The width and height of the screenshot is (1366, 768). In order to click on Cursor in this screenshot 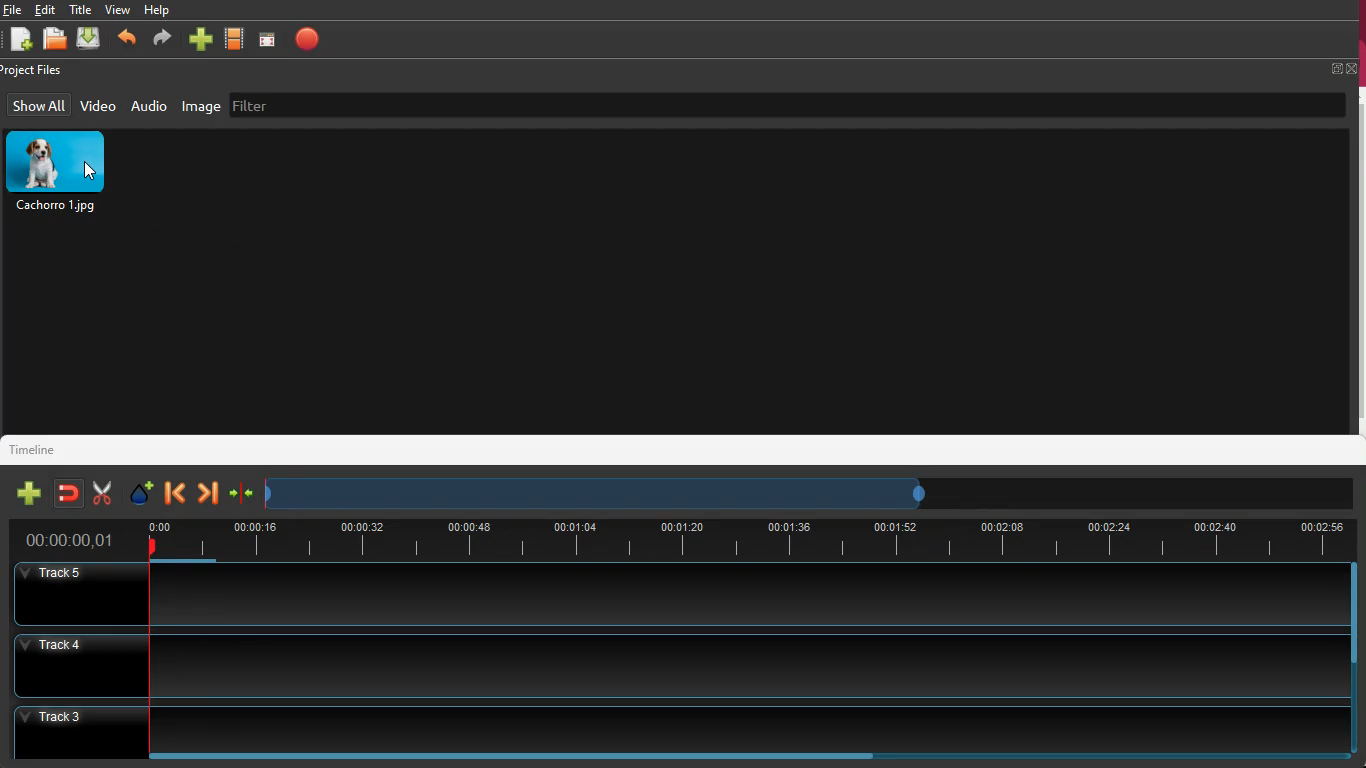, I will do `click(94, 171)`.